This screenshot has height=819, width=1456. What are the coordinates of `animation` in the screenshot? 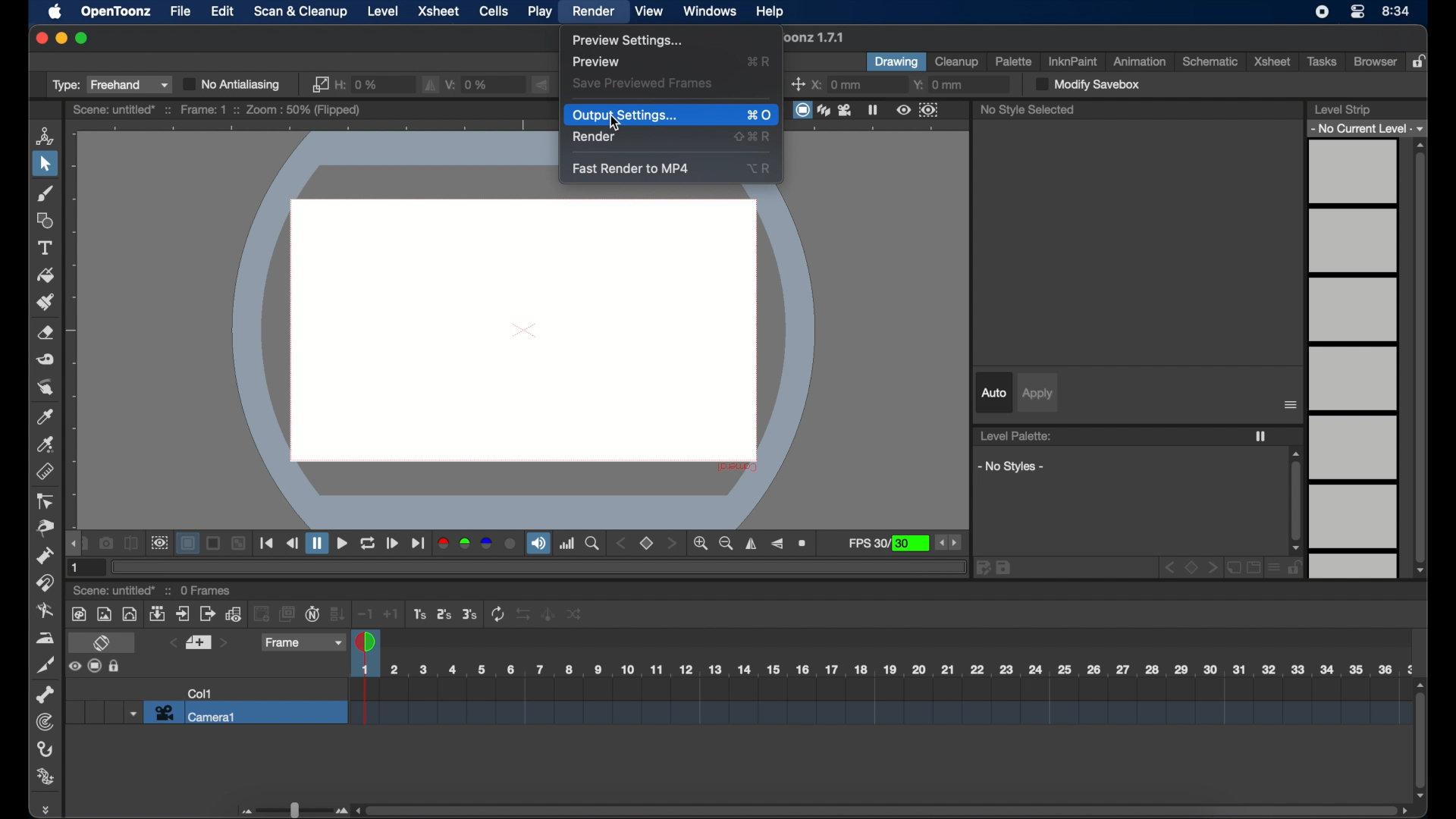 It's located at (1138, 61).